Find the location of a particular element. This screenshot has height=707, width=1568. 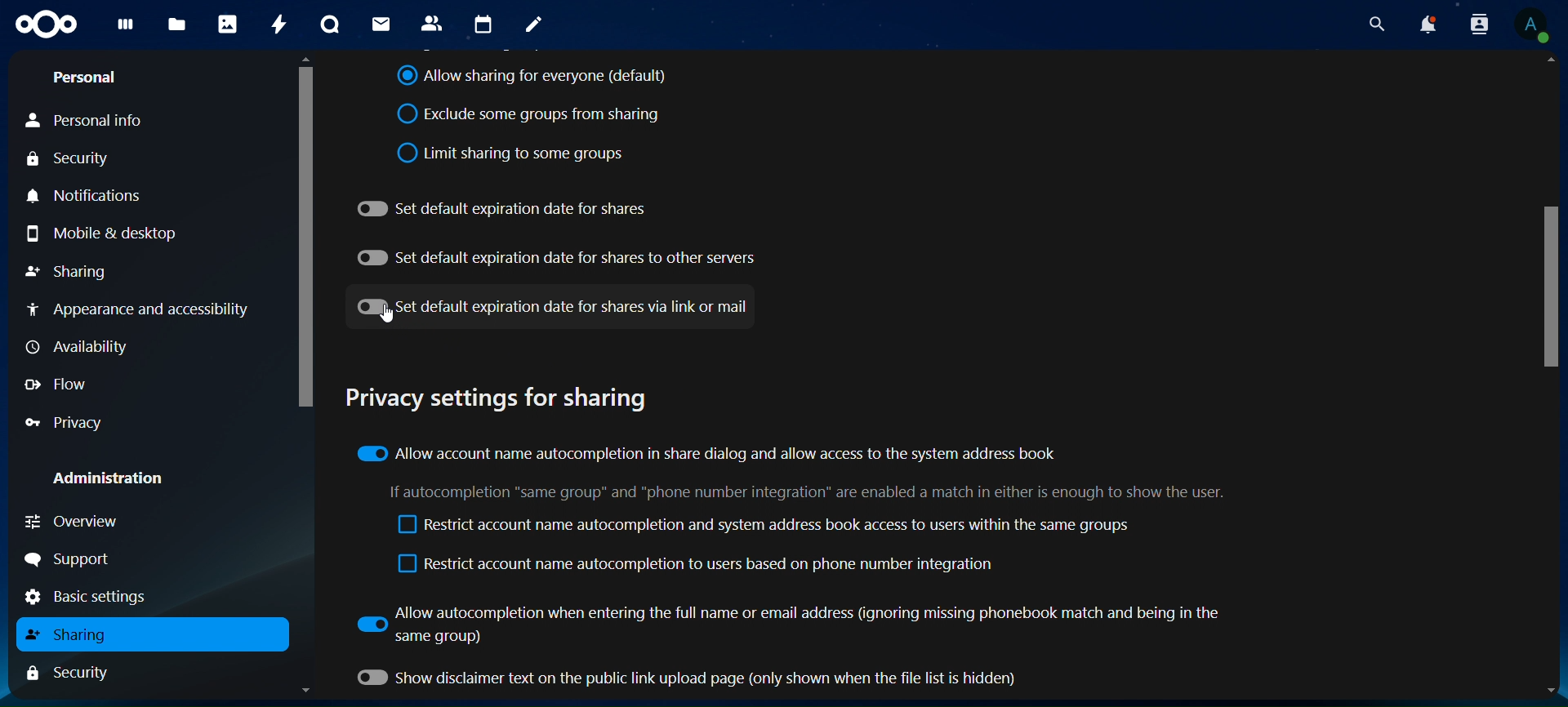

limit sharing to some groups is located at coordinates (513, 150).